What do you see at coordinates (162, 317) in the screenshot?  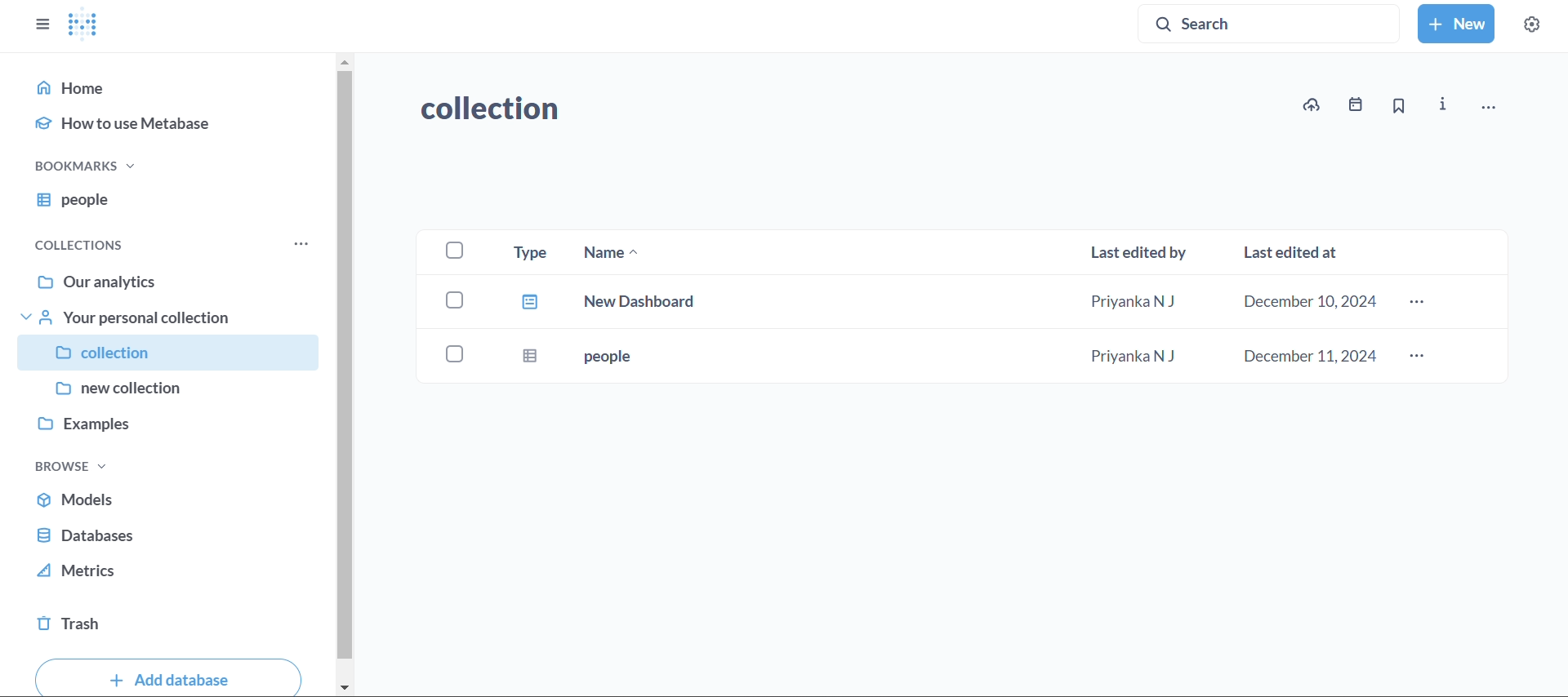 I see `your personal collection` at bounding box center [162, 317].